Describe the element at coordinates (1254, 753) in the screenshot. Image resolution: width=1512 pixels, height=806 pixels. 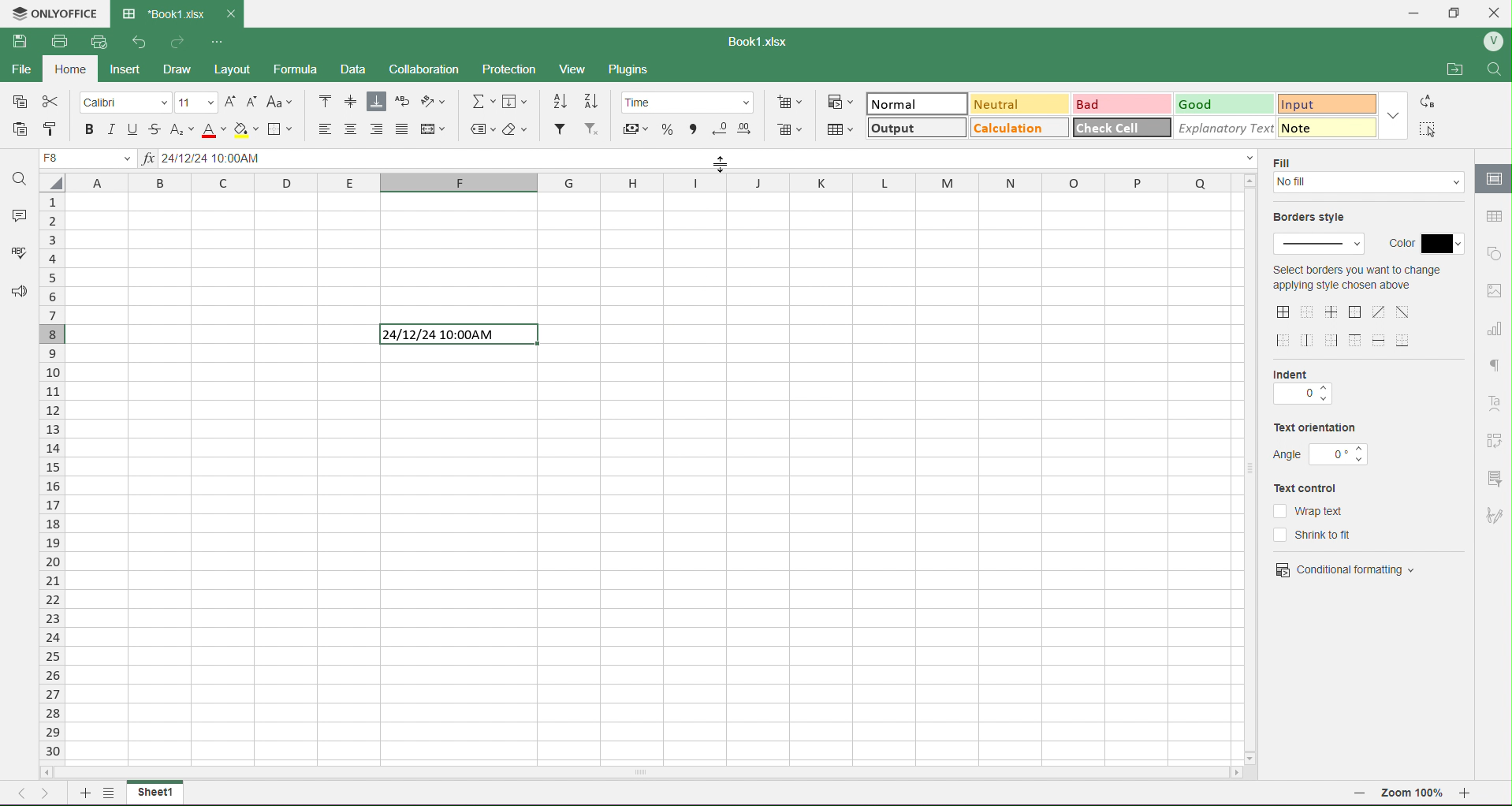
I see `scroll down` at that location.